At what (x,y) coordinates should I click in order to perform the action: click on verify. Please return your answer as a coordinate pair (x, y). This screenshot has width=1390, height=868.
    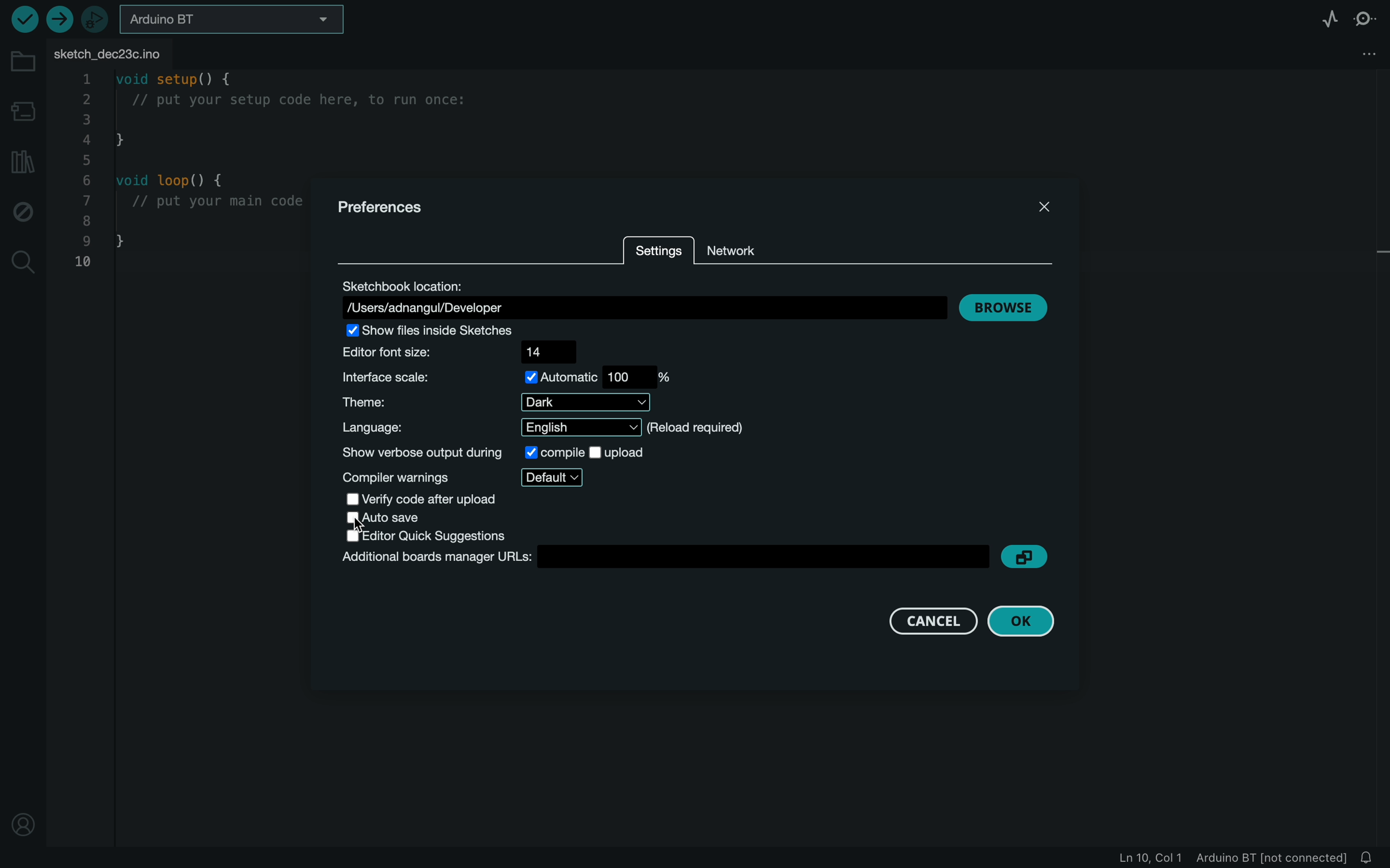
    Looking at the image, I should click on (20, 18).